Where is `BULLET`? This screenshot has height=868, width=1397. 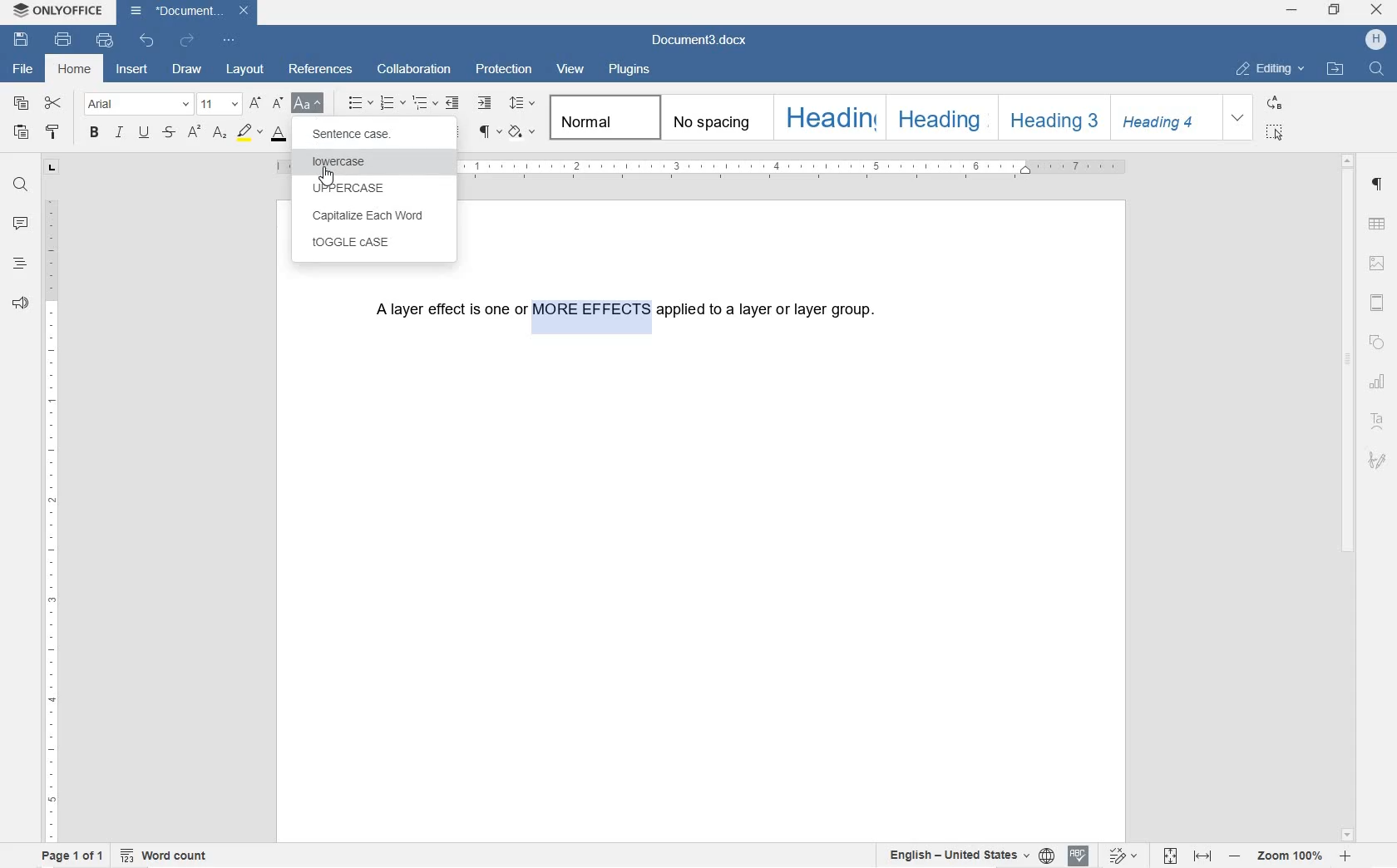 BULLET is located at coordinates (359, 104).